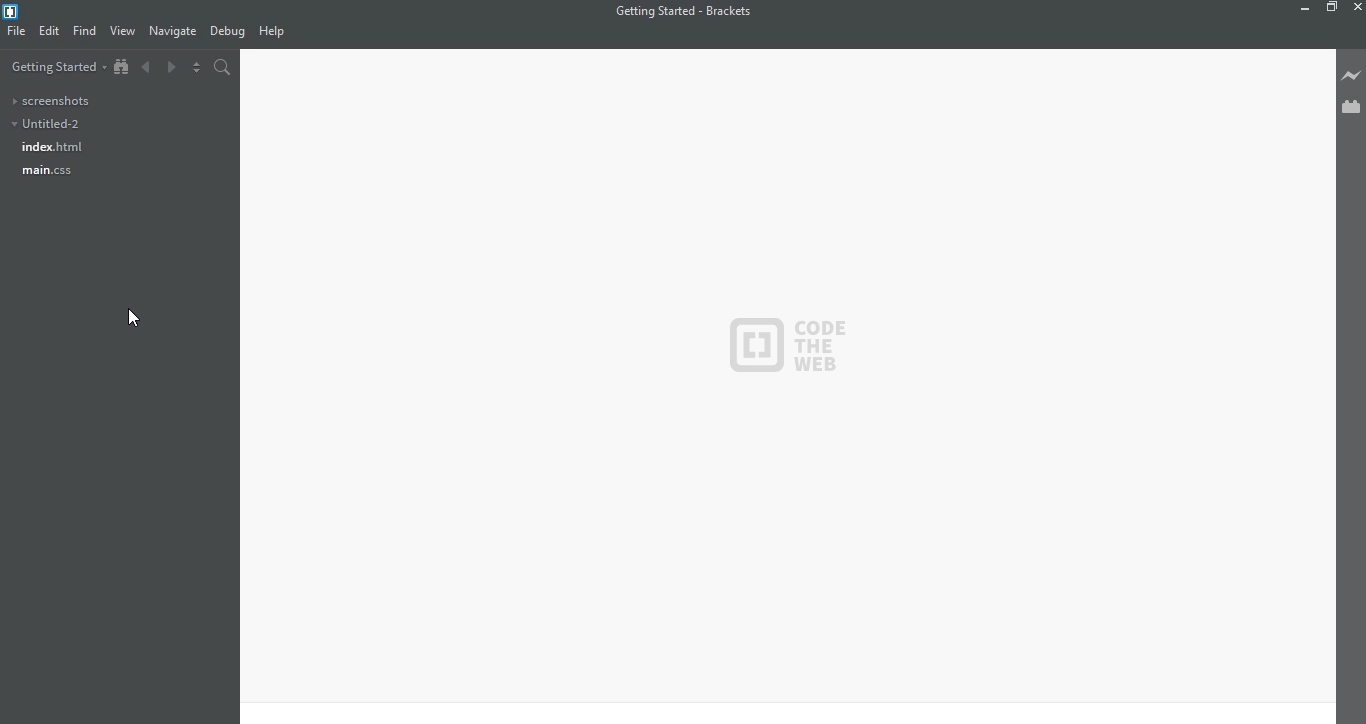  What do you see at coordinates (197, 67) in the screenshot?
I see `toggle` at bounding box center [197, 67].